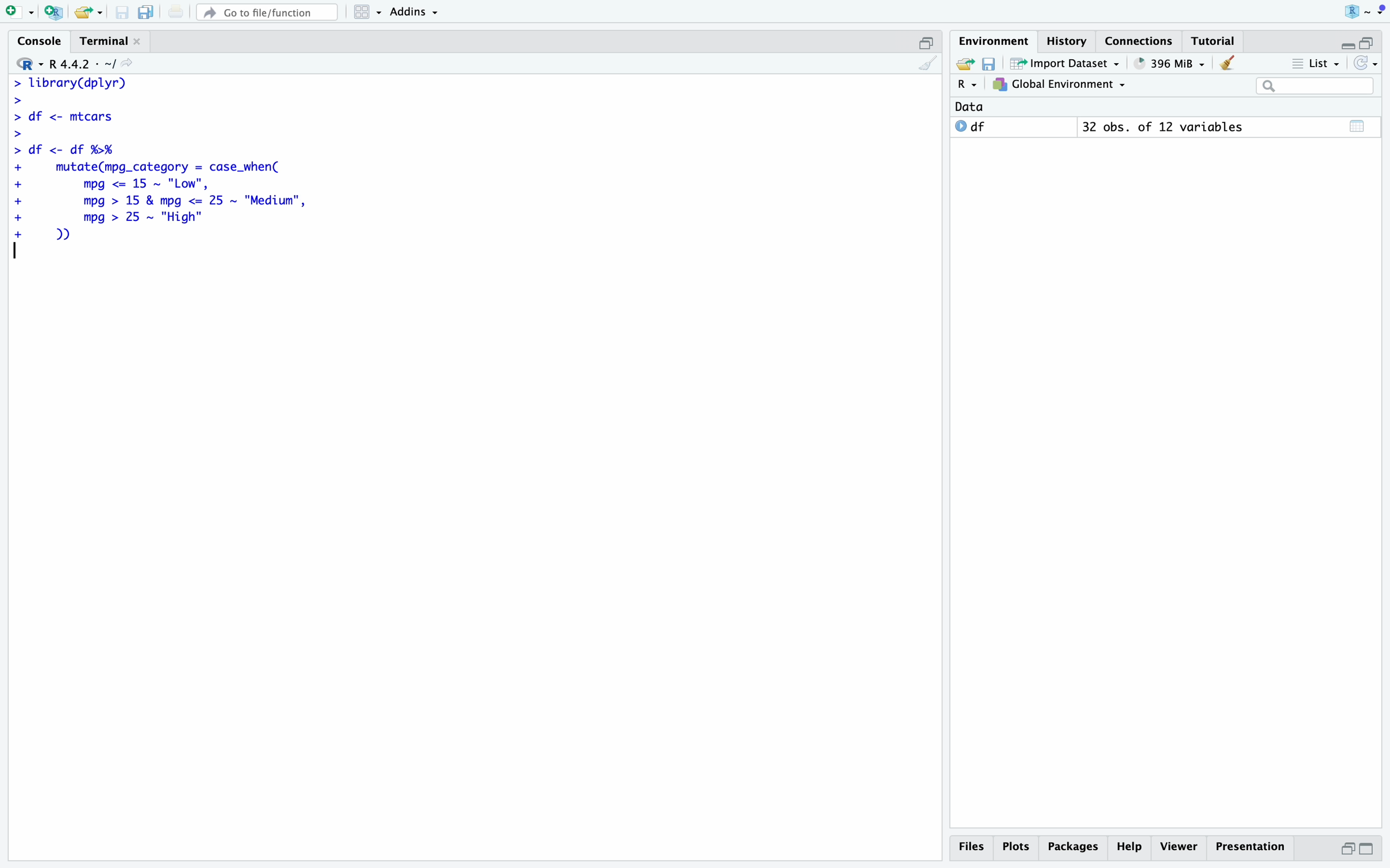 Image resolution: width=1390 pixels, height=868 pixels. What do you see at coordinates (971, 126) in the screenshot?
I see `df` at bounding box center [971, 126].